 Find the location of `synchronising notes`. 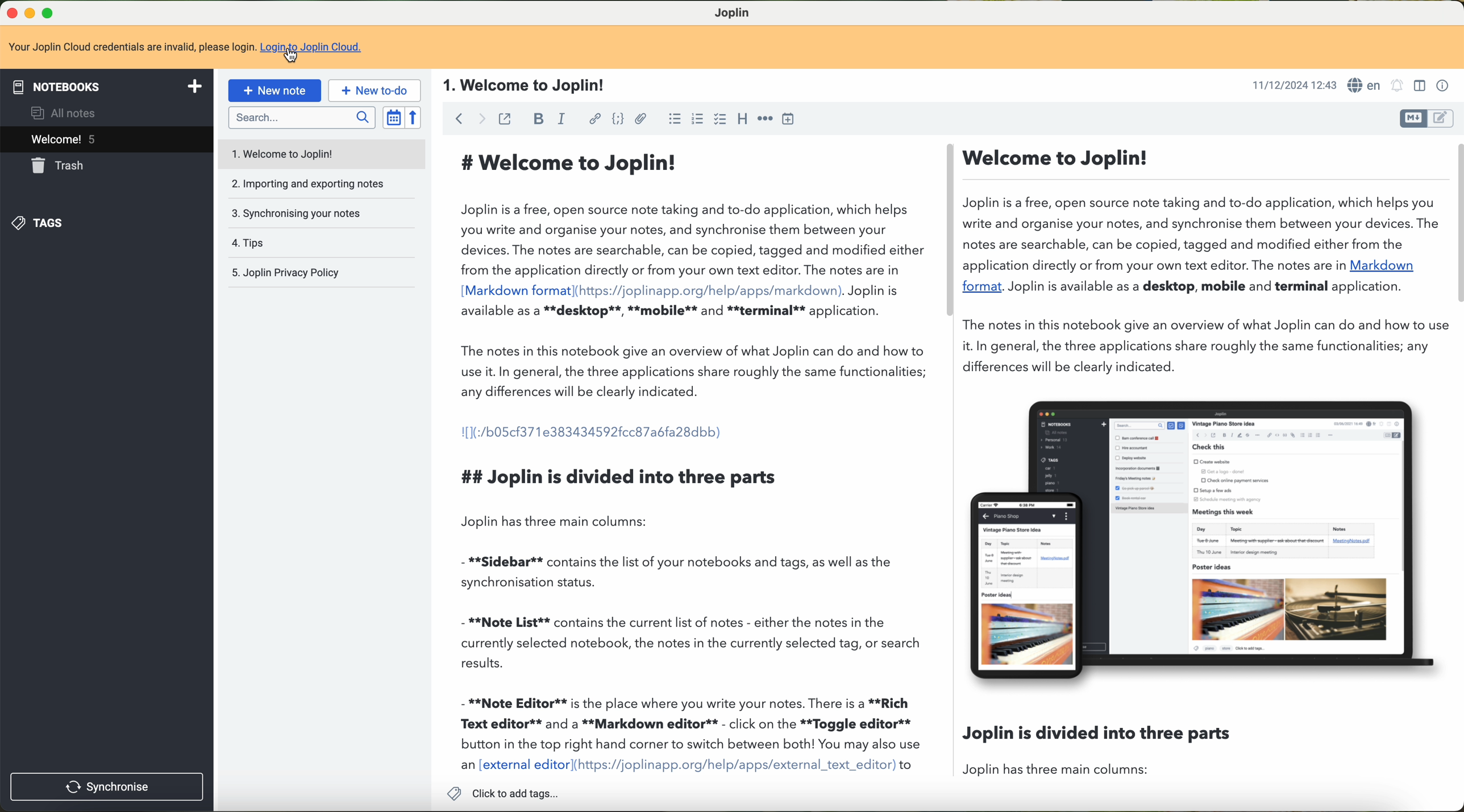

synchronising notes is located at coordinates (324, 214).